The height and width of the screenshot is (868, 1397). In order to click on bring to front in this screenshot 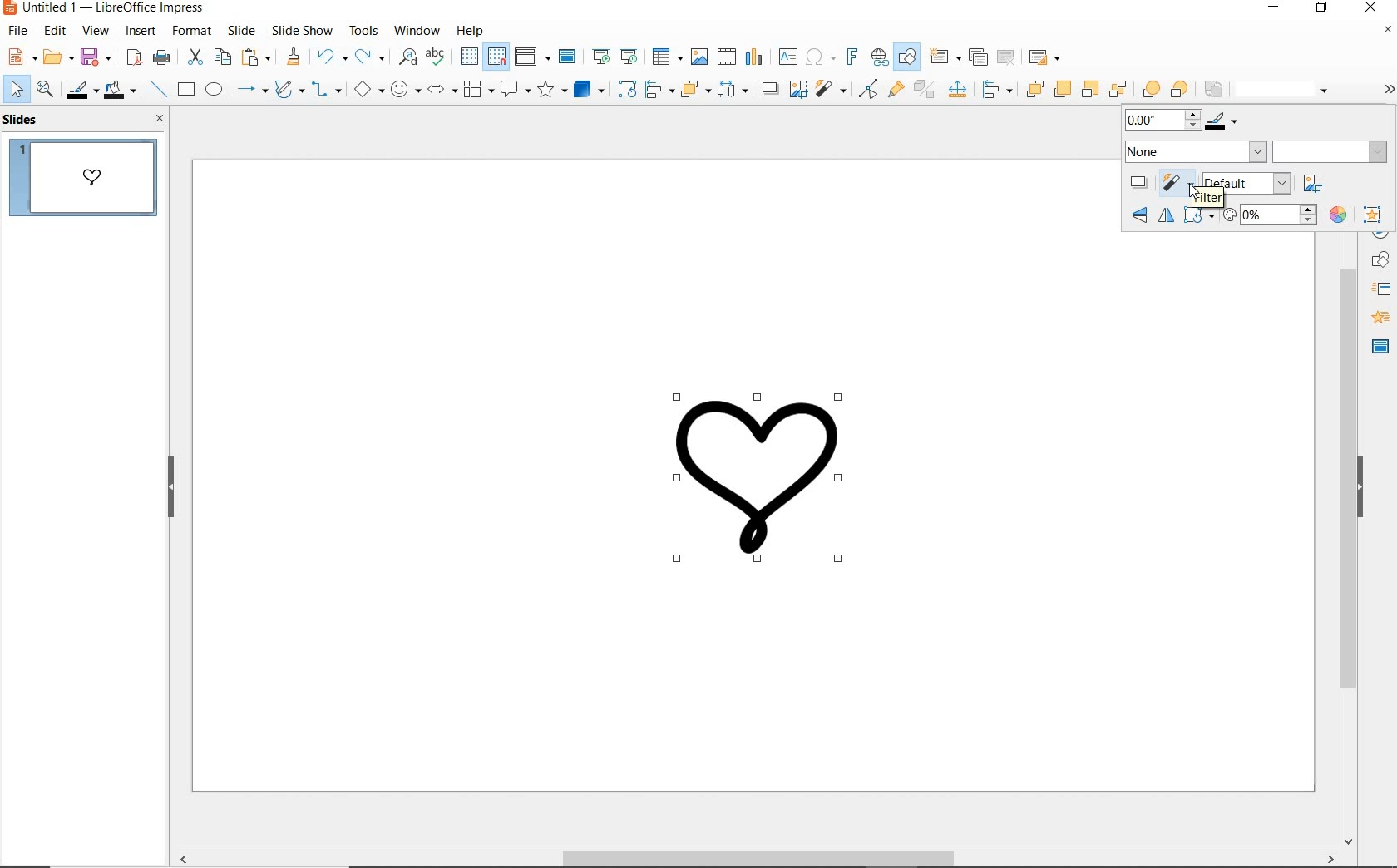, I will do `click(1033, 86)`.